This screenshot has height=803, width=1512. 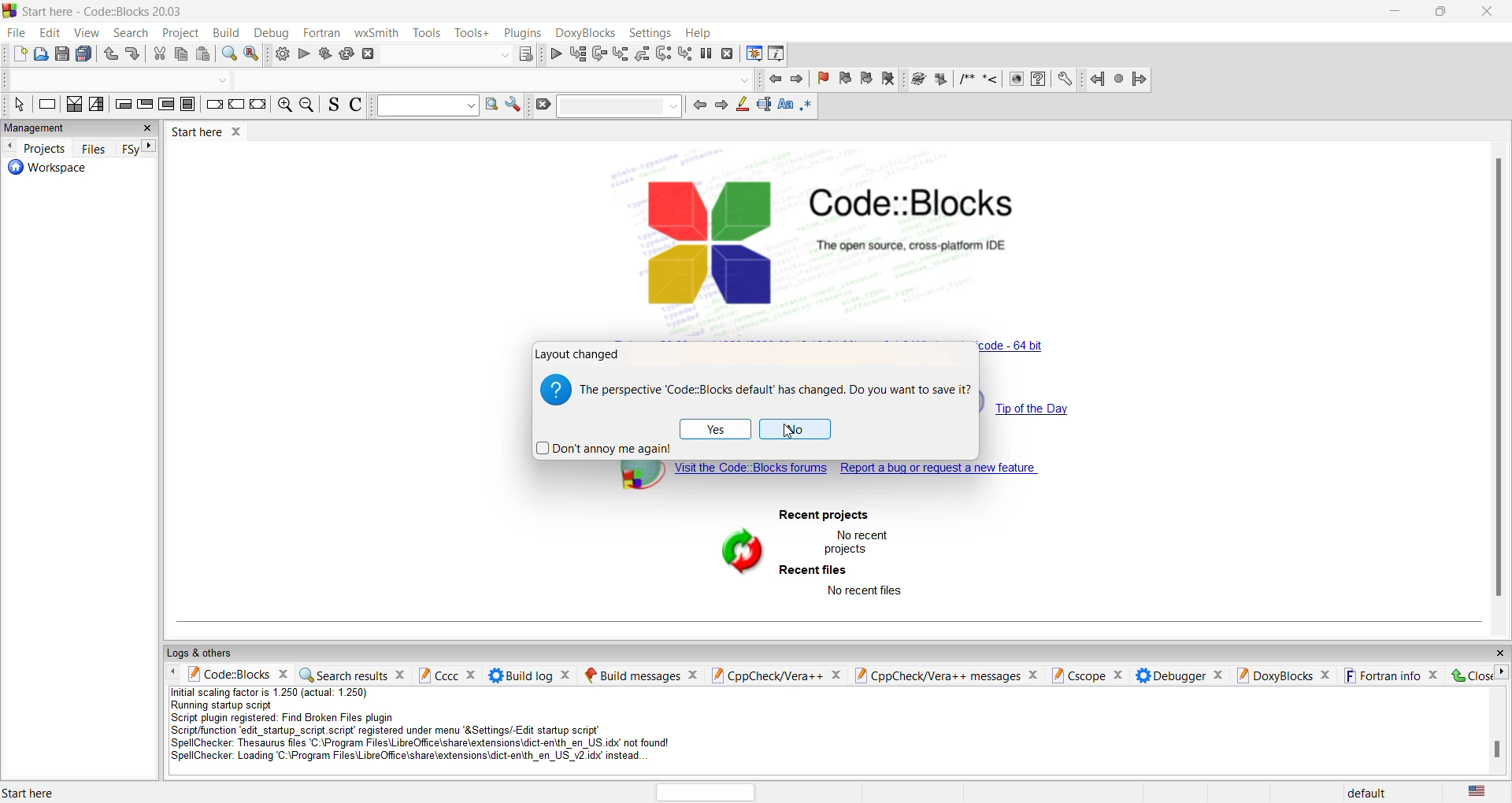 I want to click on multiline comment, so click(x=966, y=81).